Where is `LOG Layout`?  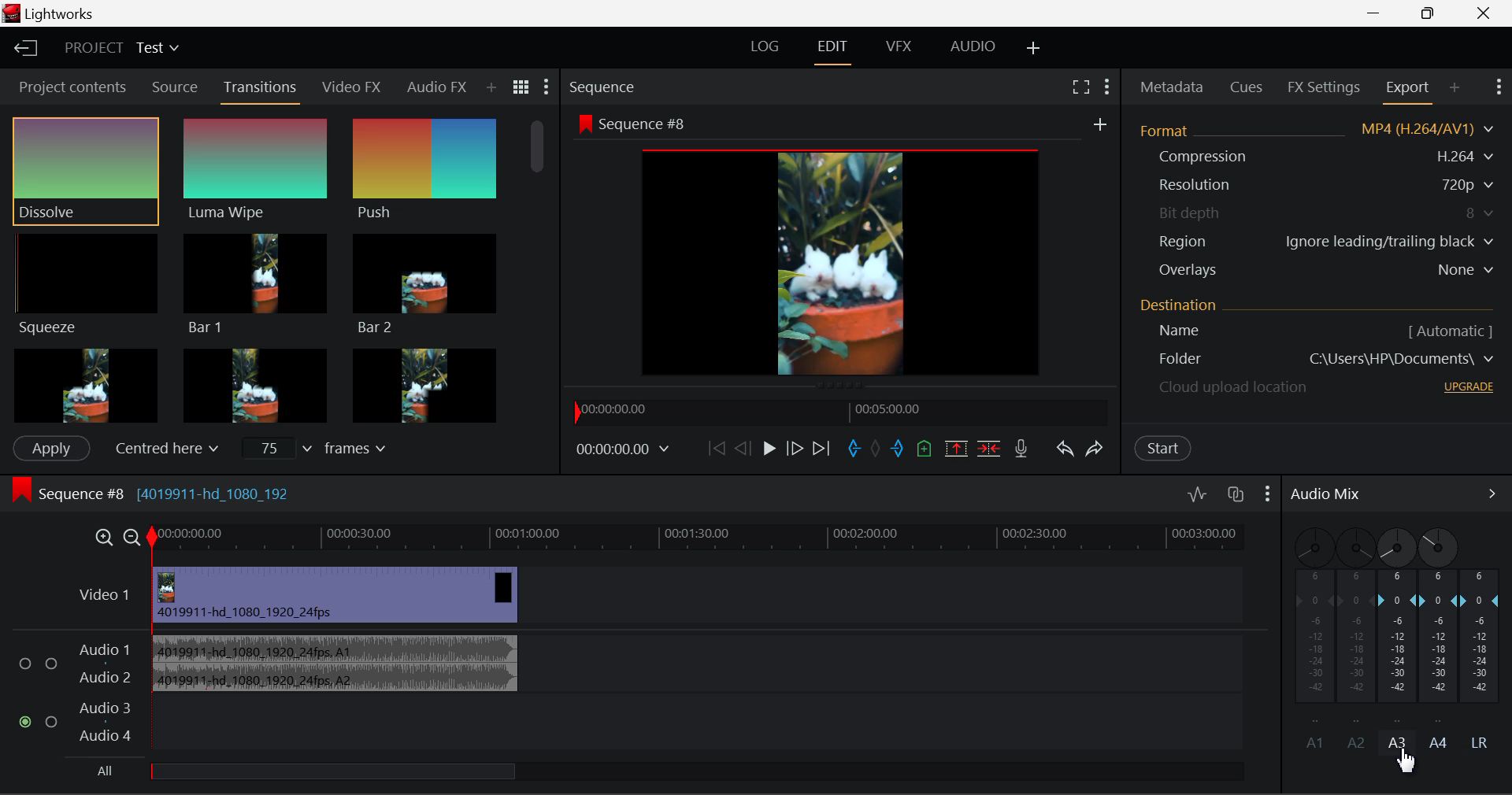
LOG Layout is located at coordinates (765, 46).